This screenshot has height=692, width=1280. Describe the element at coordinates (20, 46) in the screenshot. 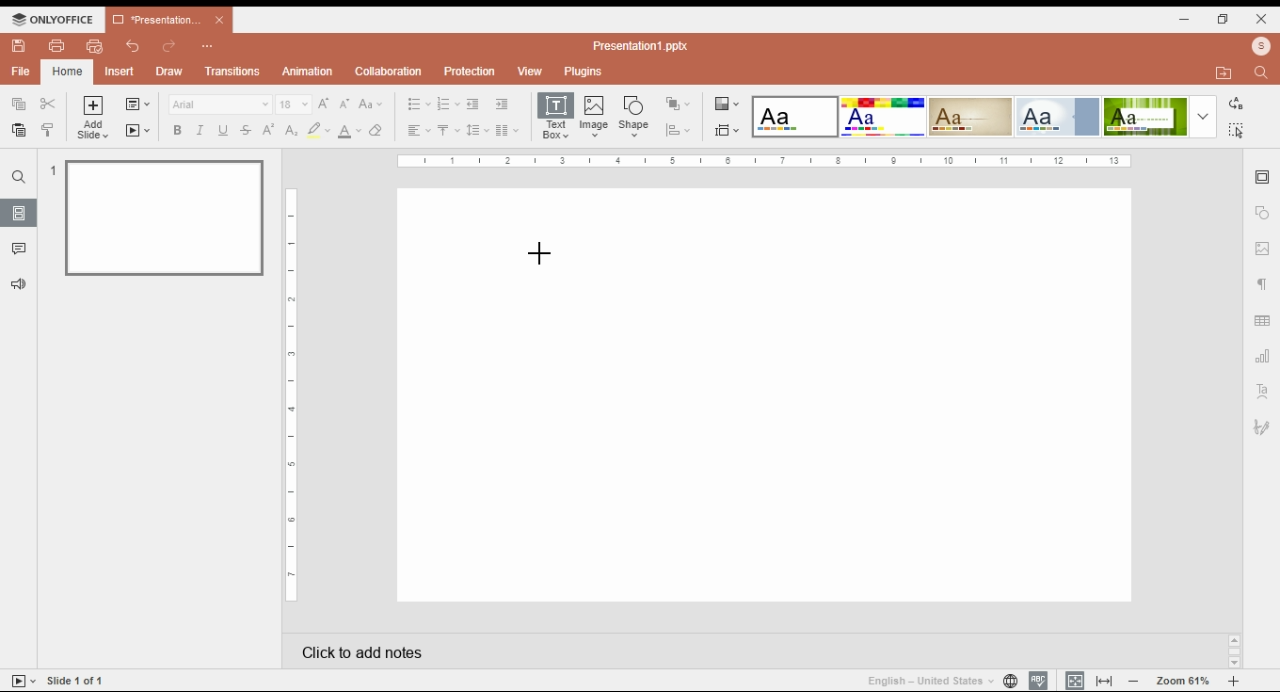

I see `save` at that location.